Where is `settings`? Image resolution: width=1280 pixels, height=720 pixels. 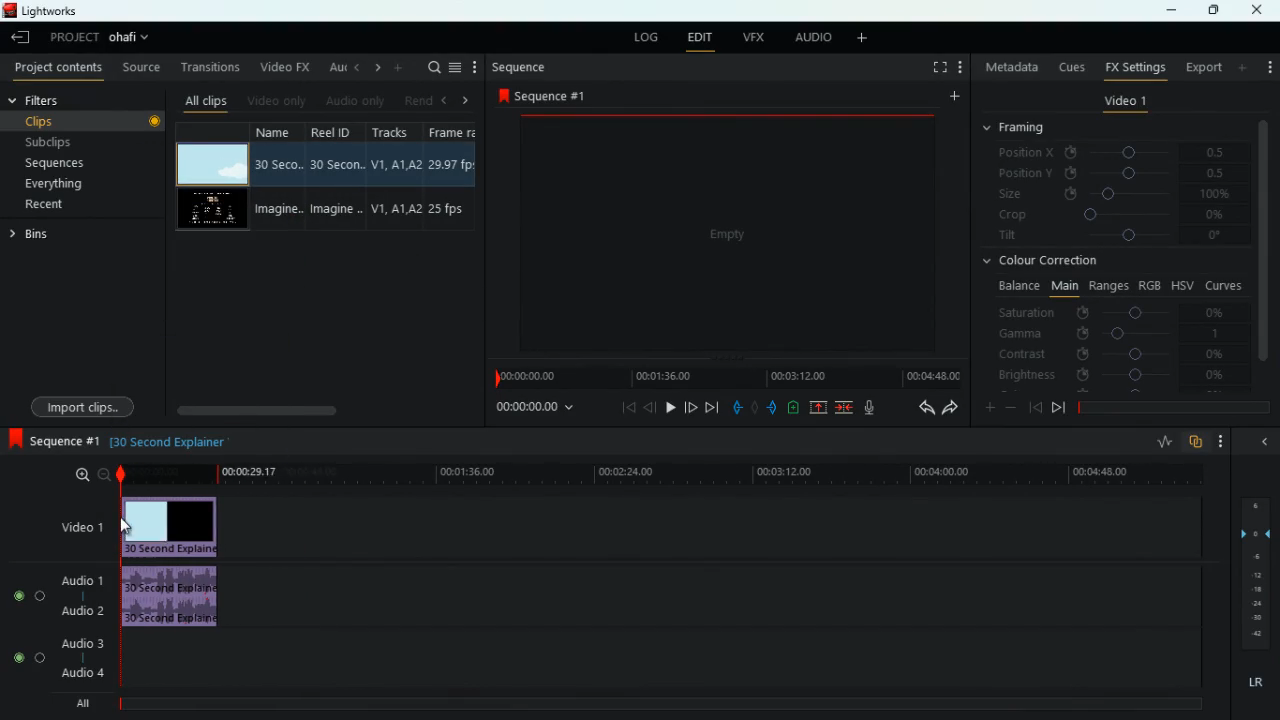 settings is located at coordinates (1268, 65).